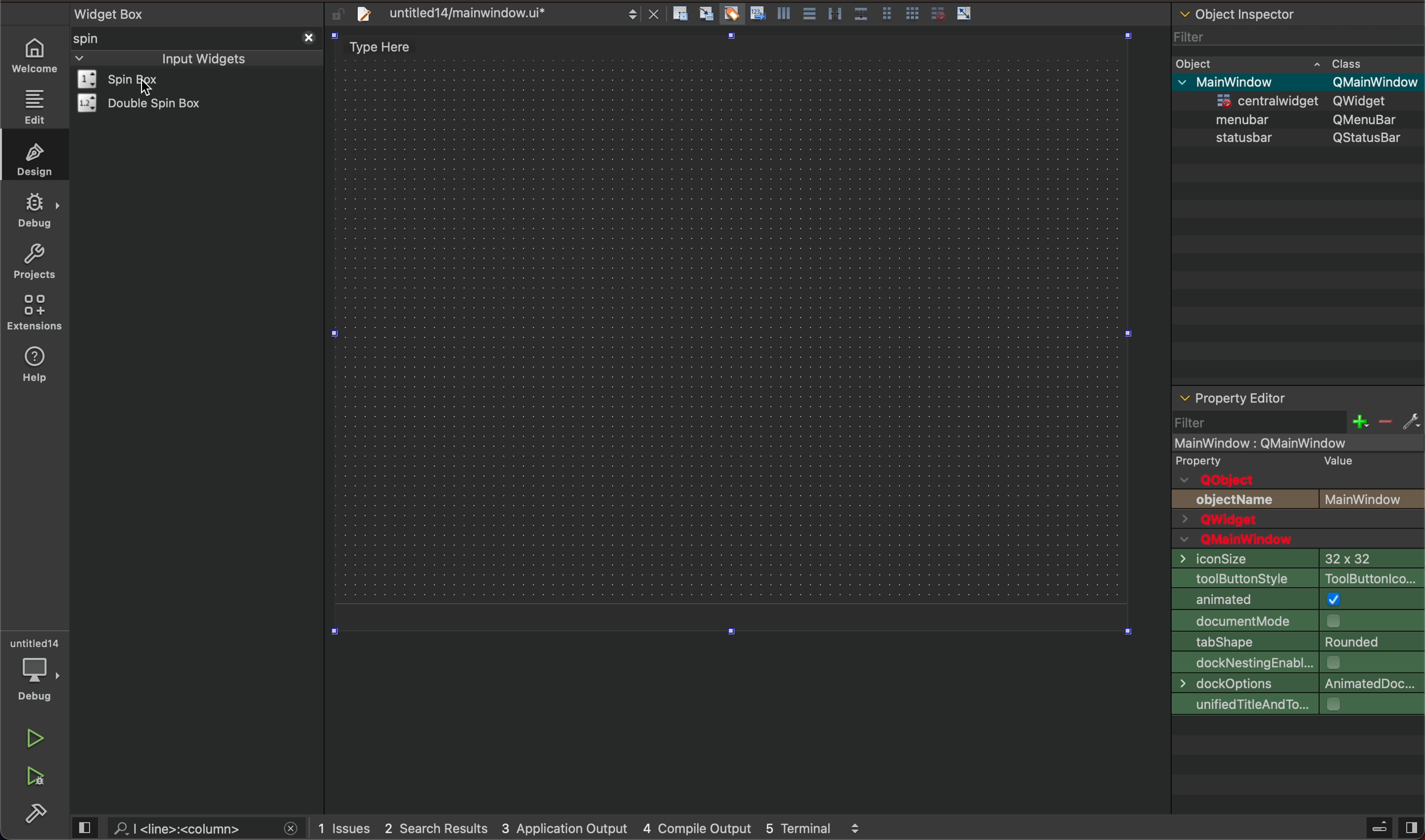 The image size is (1425, 840). I want to click on icon size, so click(1294, 558).